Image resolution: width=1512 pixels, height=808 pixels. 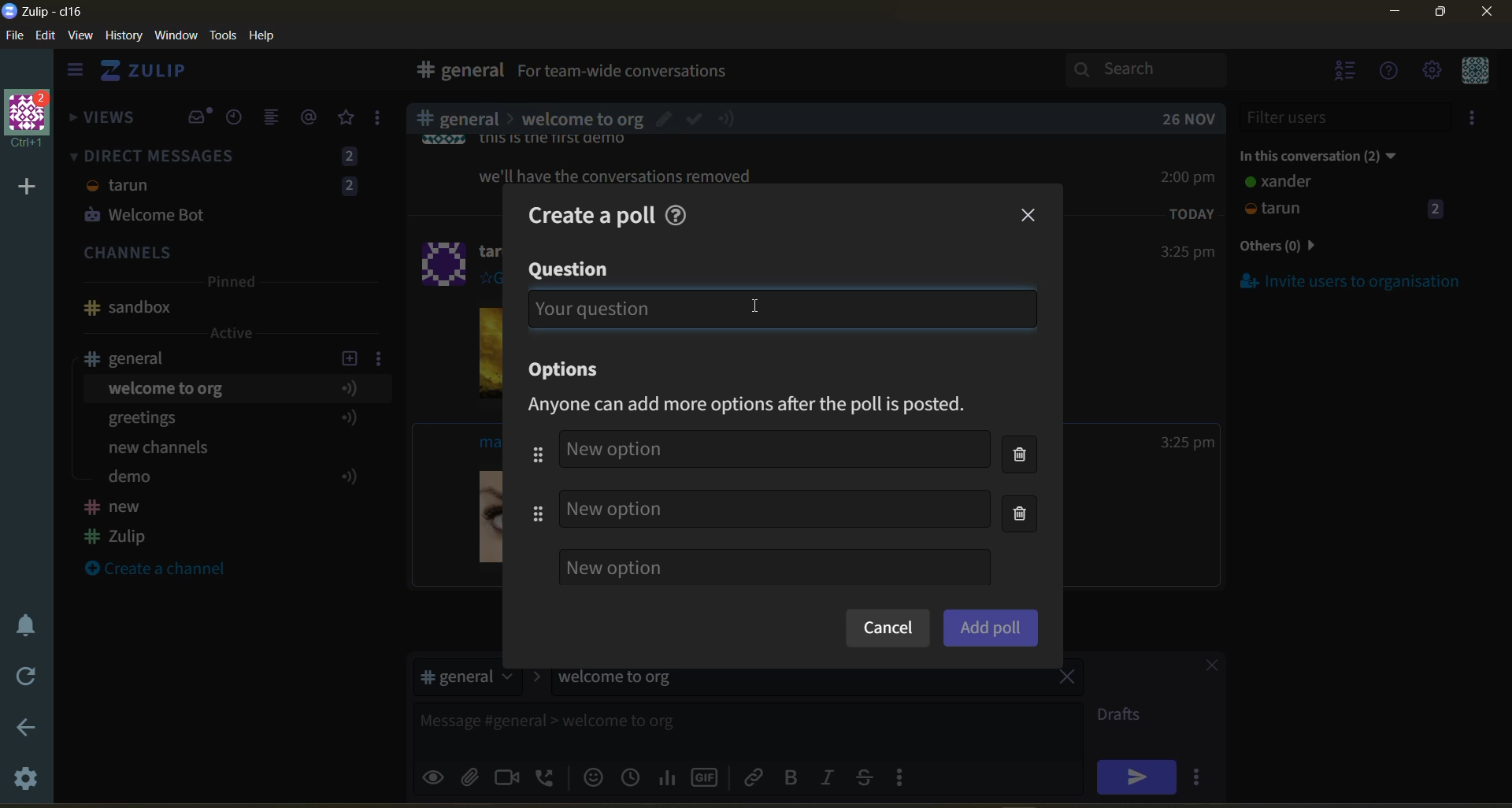 What do you see at coordinates (1186, 253) in the screenshot?
I see `3:25 pm` at bounding box center [1186, 253].